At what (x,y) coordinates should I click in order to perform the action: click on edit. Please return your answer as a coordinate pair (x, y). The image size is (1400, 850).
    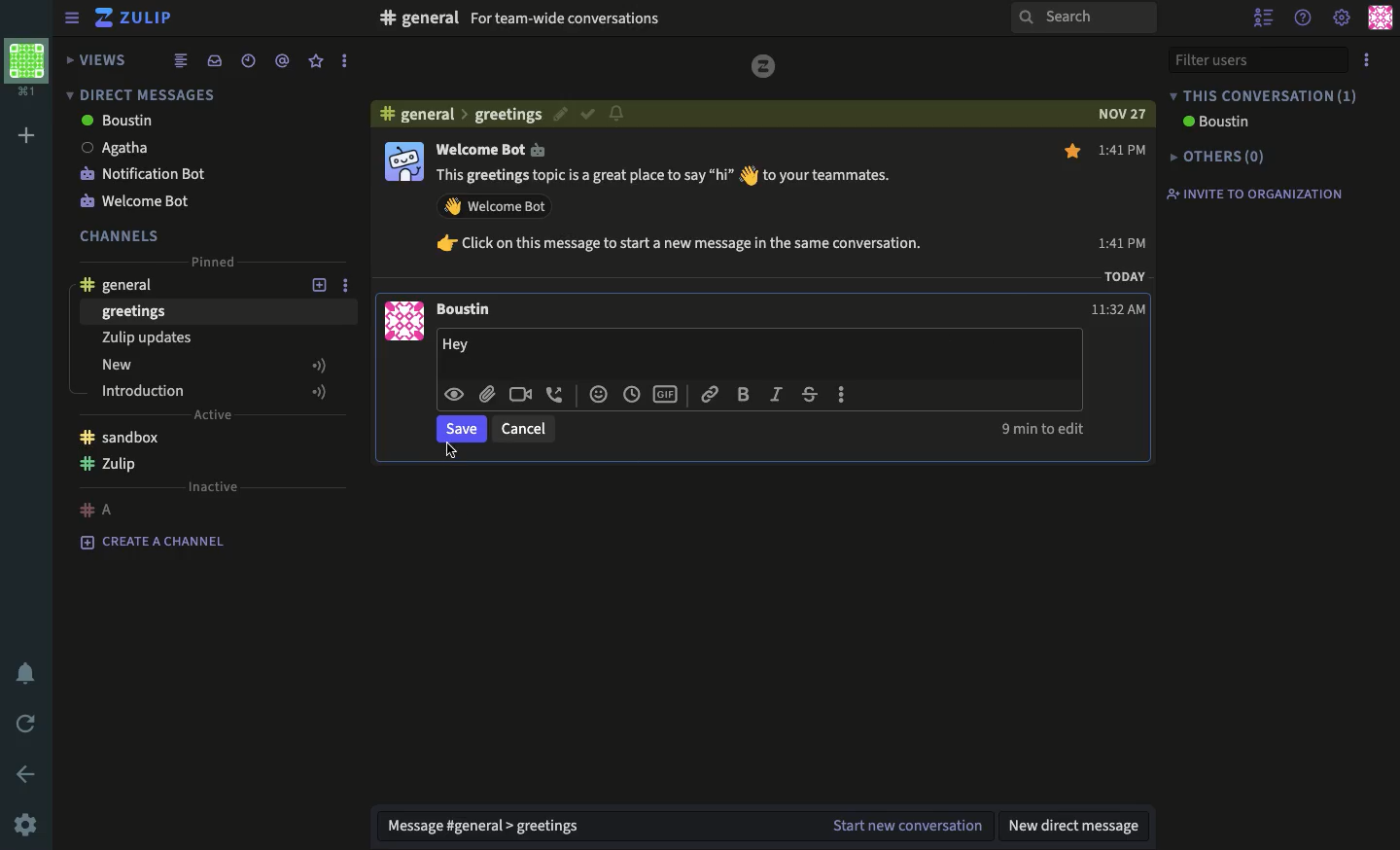
    Looking at the image, I should click on (557, 114).